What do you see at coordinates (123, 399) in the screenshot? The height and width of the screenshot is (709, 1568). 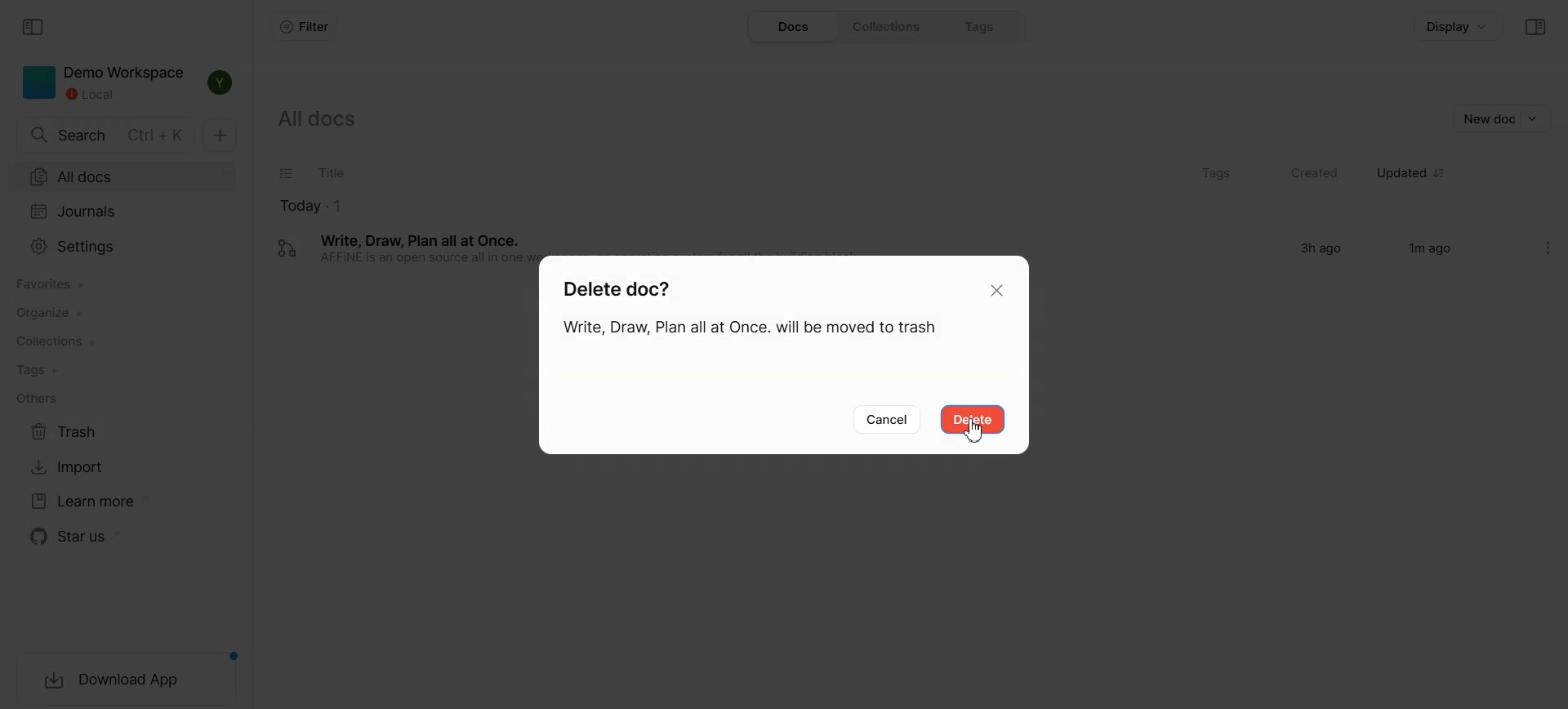 I see `Others` at bounding box center [123, 399].